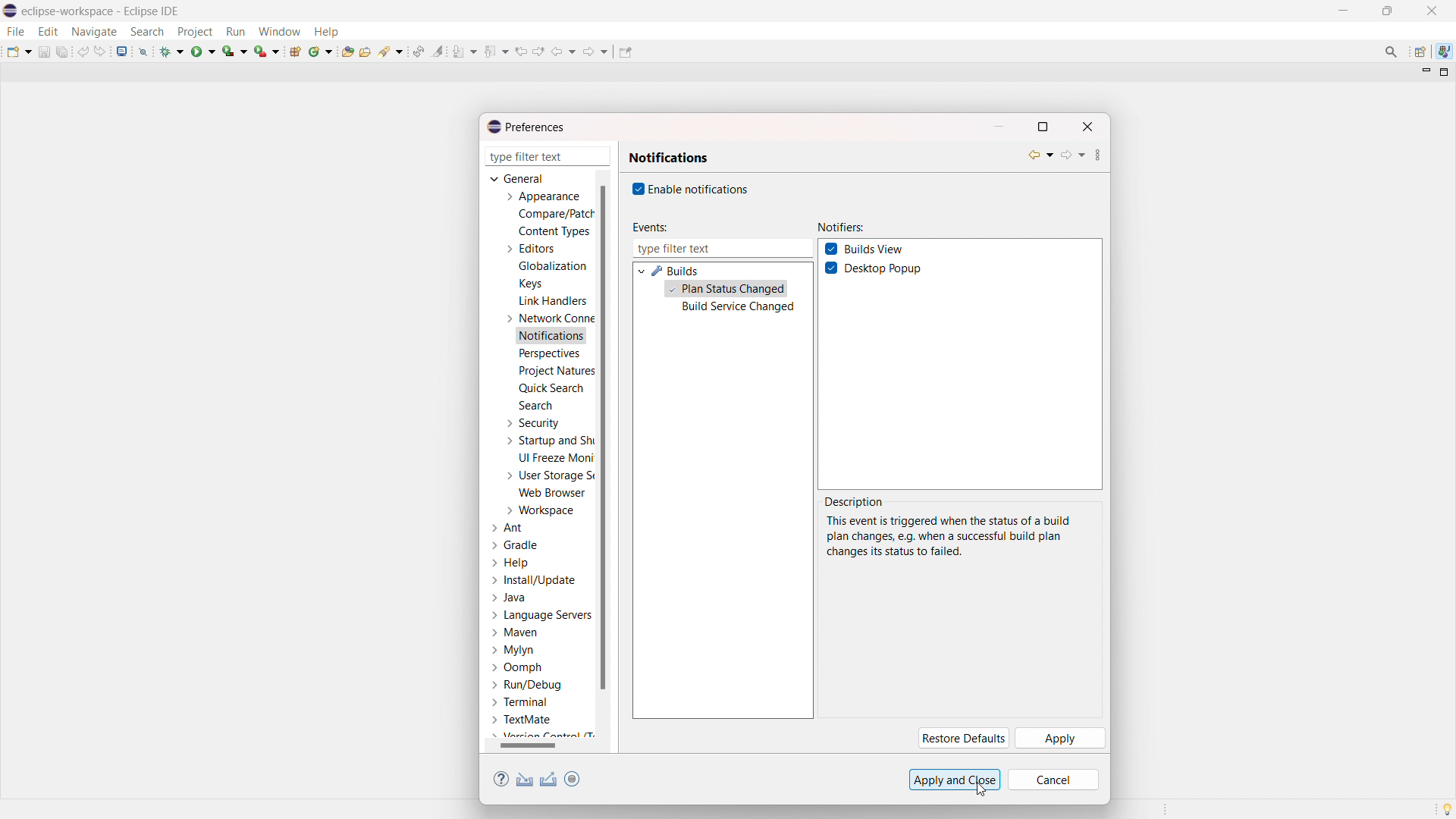 This screenshot has height=819, width=1456. I want to click on editors, so click(529, 249).